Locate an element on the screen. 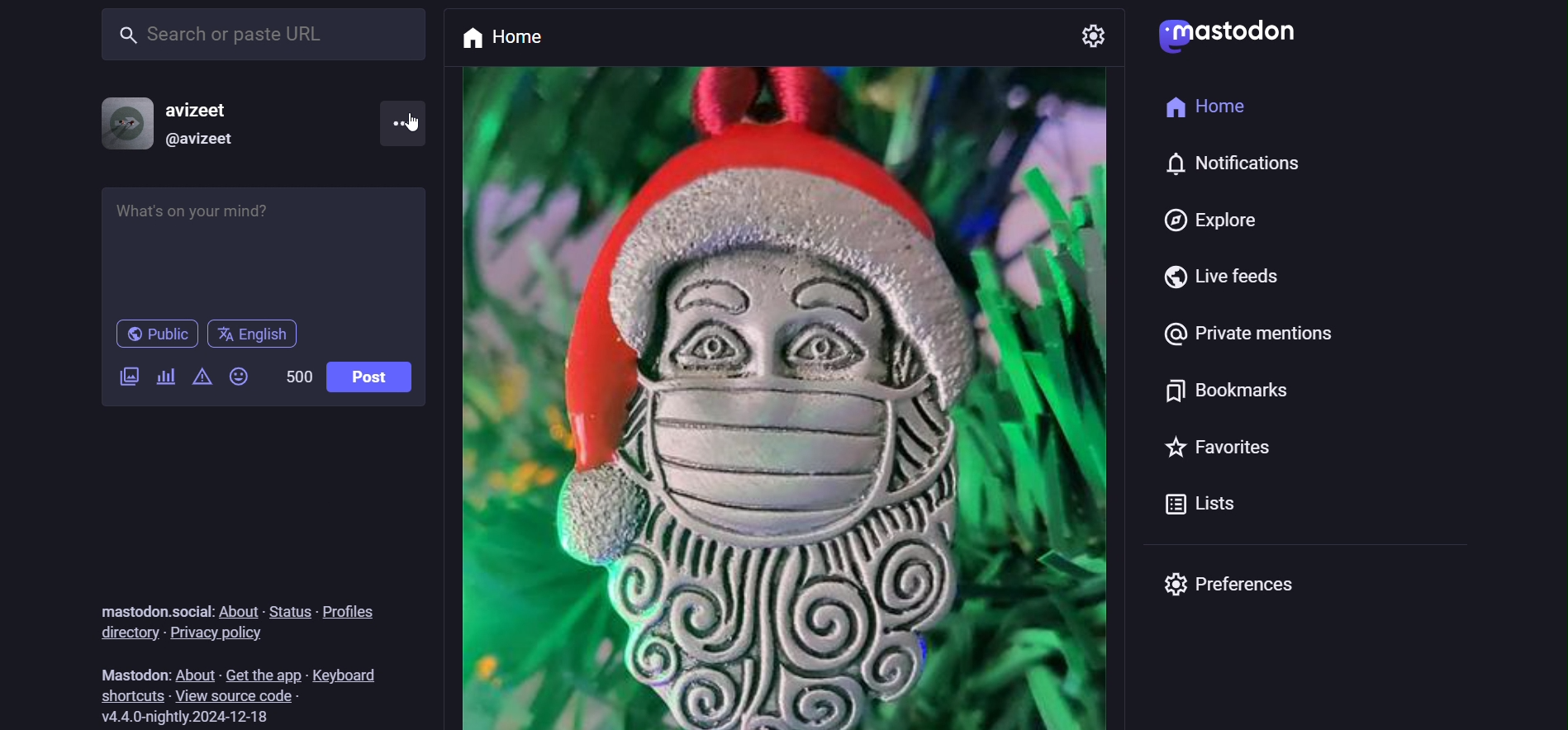 The image size is (1568, 730). shortcuts is located at coordinates (128, 695).